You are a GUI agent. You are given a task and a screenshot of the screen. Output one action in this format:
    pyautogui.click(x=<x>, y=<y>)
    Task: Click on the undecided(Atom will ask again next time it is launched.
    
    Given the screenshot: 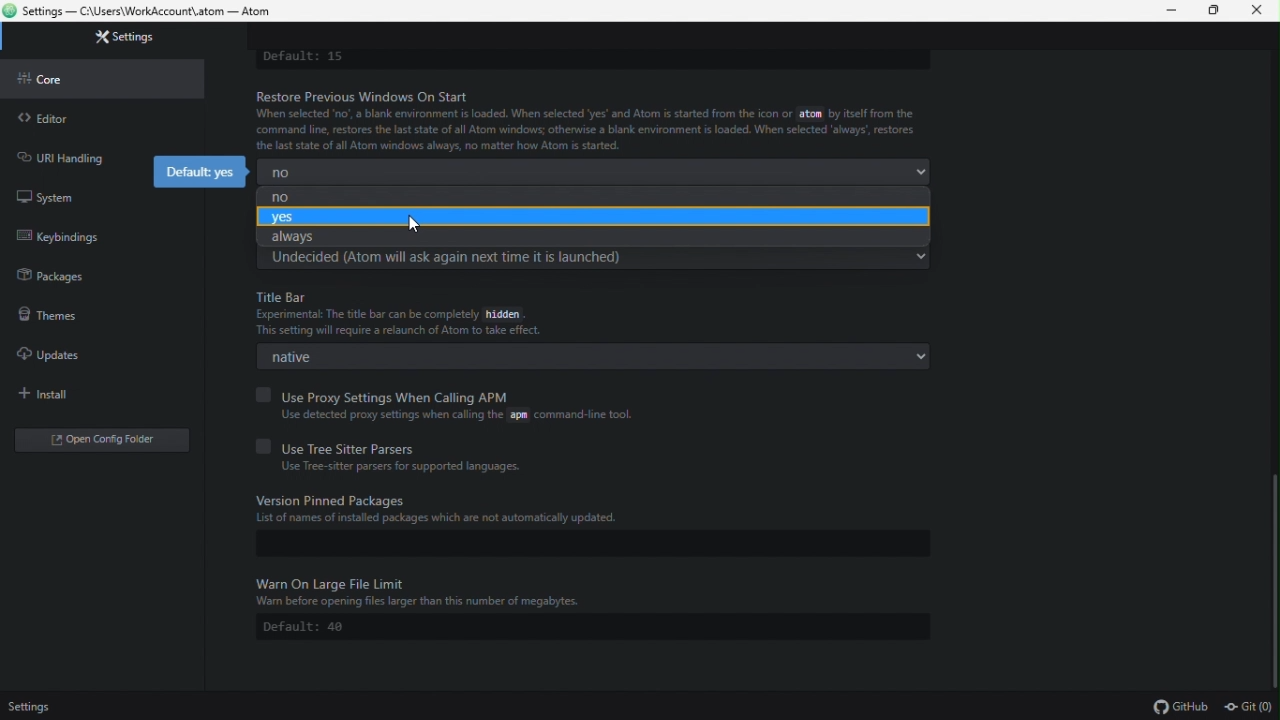 What is the action you would take?
    pyautogui.click(x=595, y=259)
    